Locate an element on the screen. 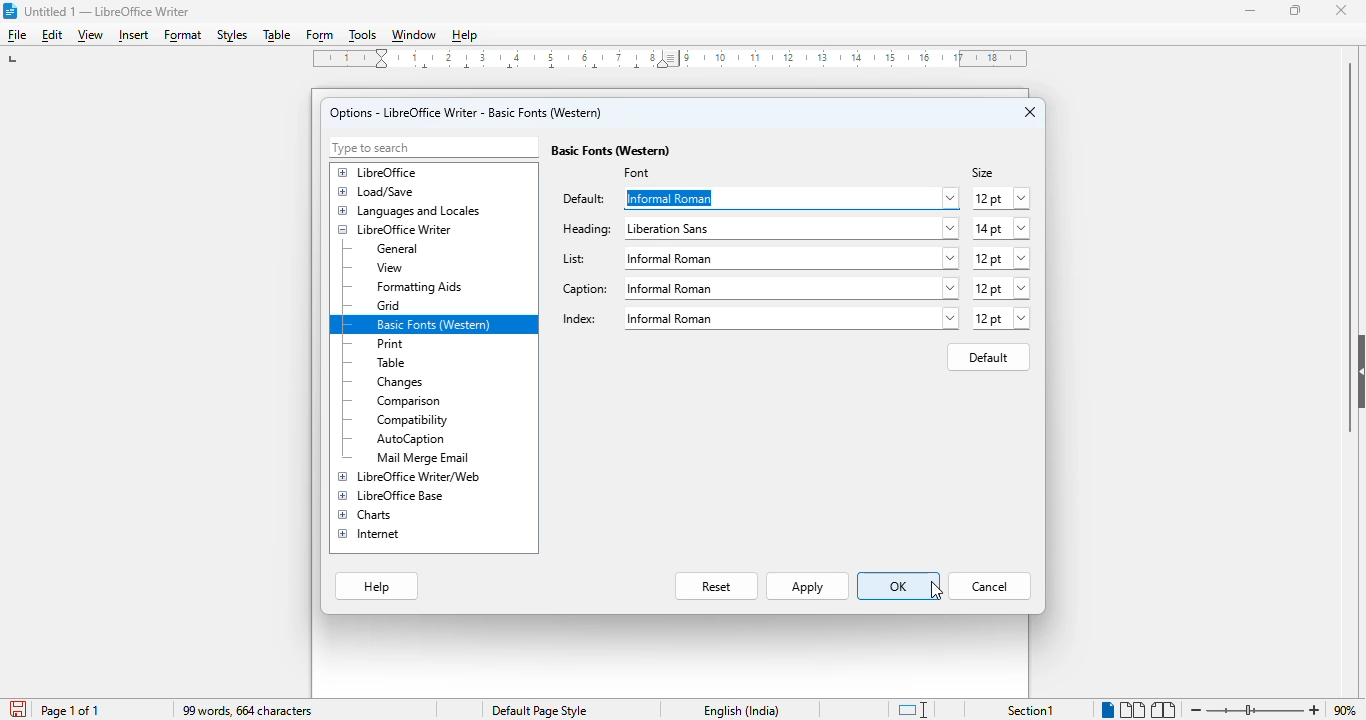 The height and width of the screenshot is (720, 1366). help is located at coordinates (375, 586).